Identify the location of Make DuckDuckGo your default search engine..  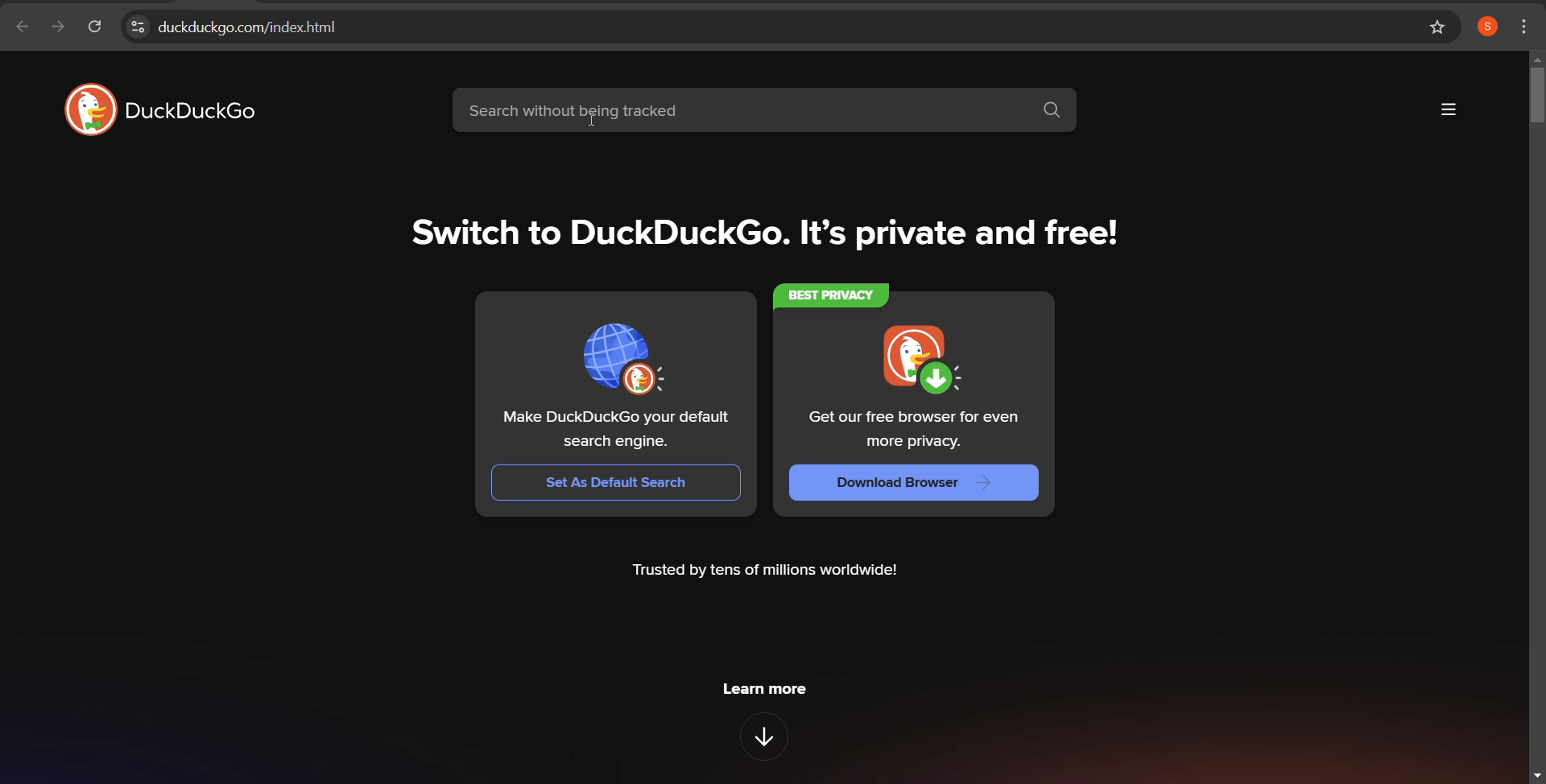
(621, 425).